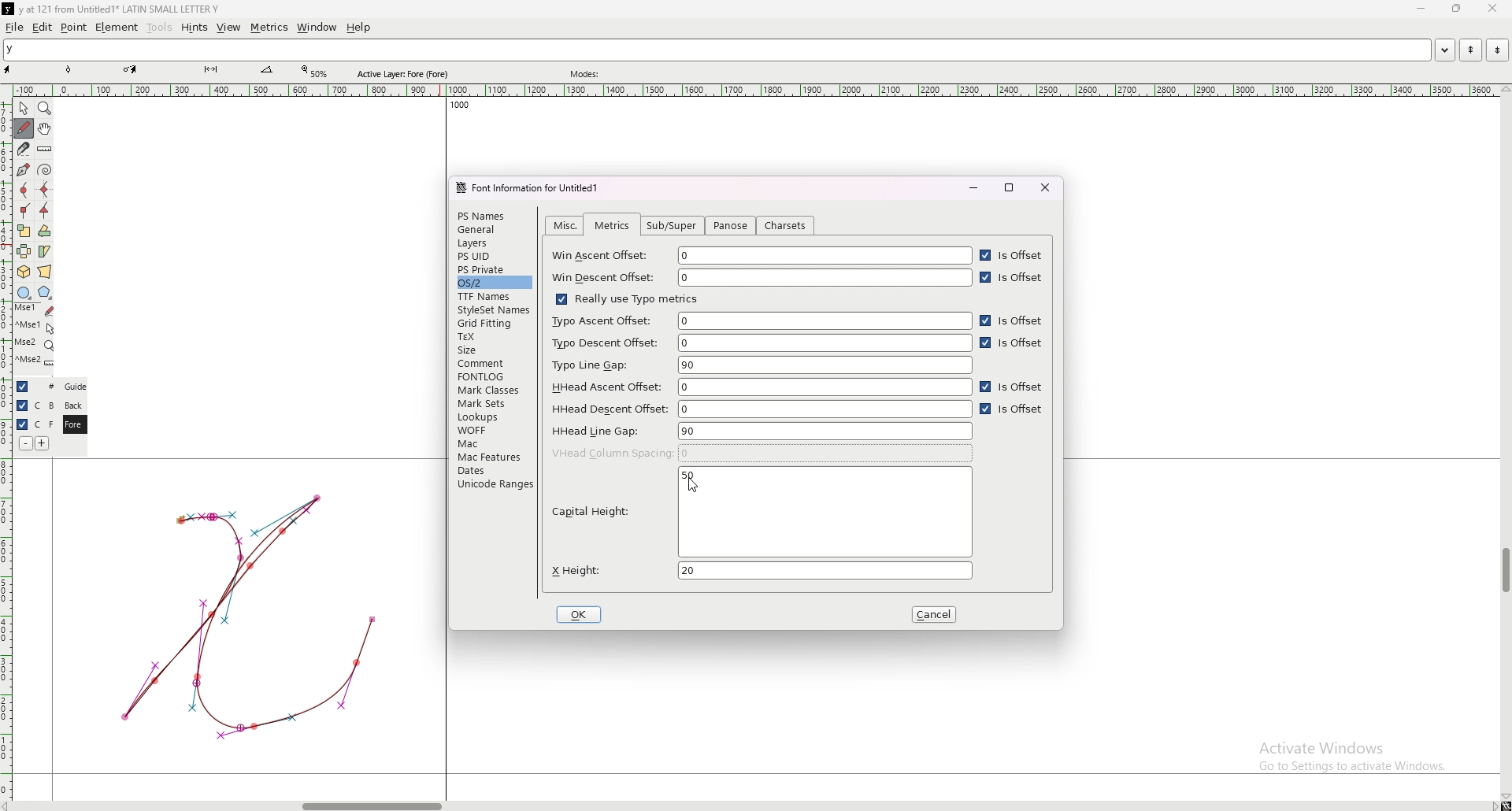  I want to click on modes, so click(587, 74).